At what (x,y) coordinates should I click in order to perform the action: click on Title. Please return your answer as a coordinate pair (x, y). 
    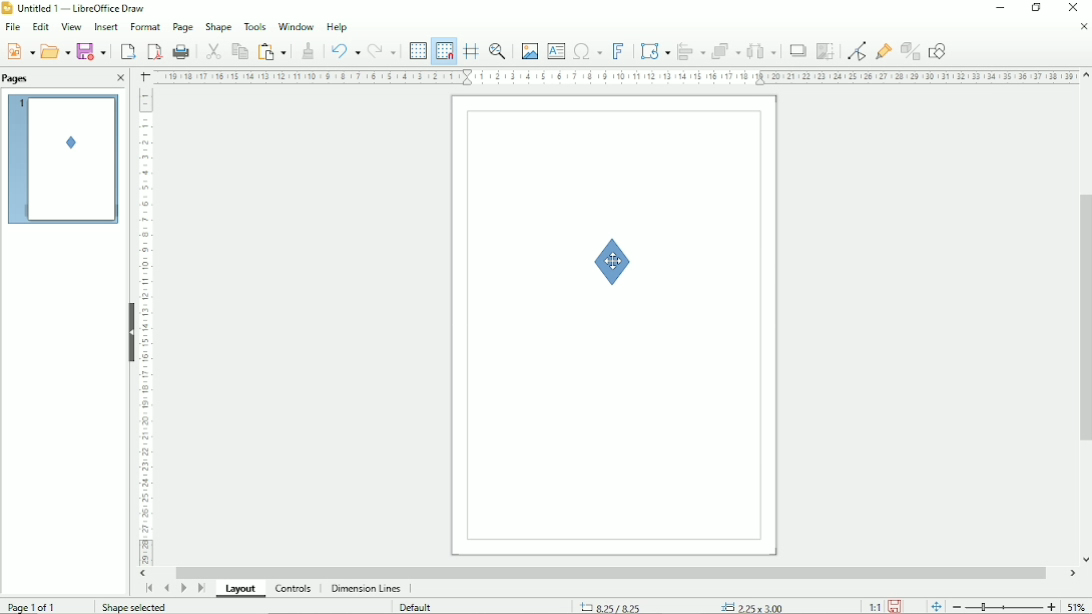
    Looking at the image, I should click on (76, 9).